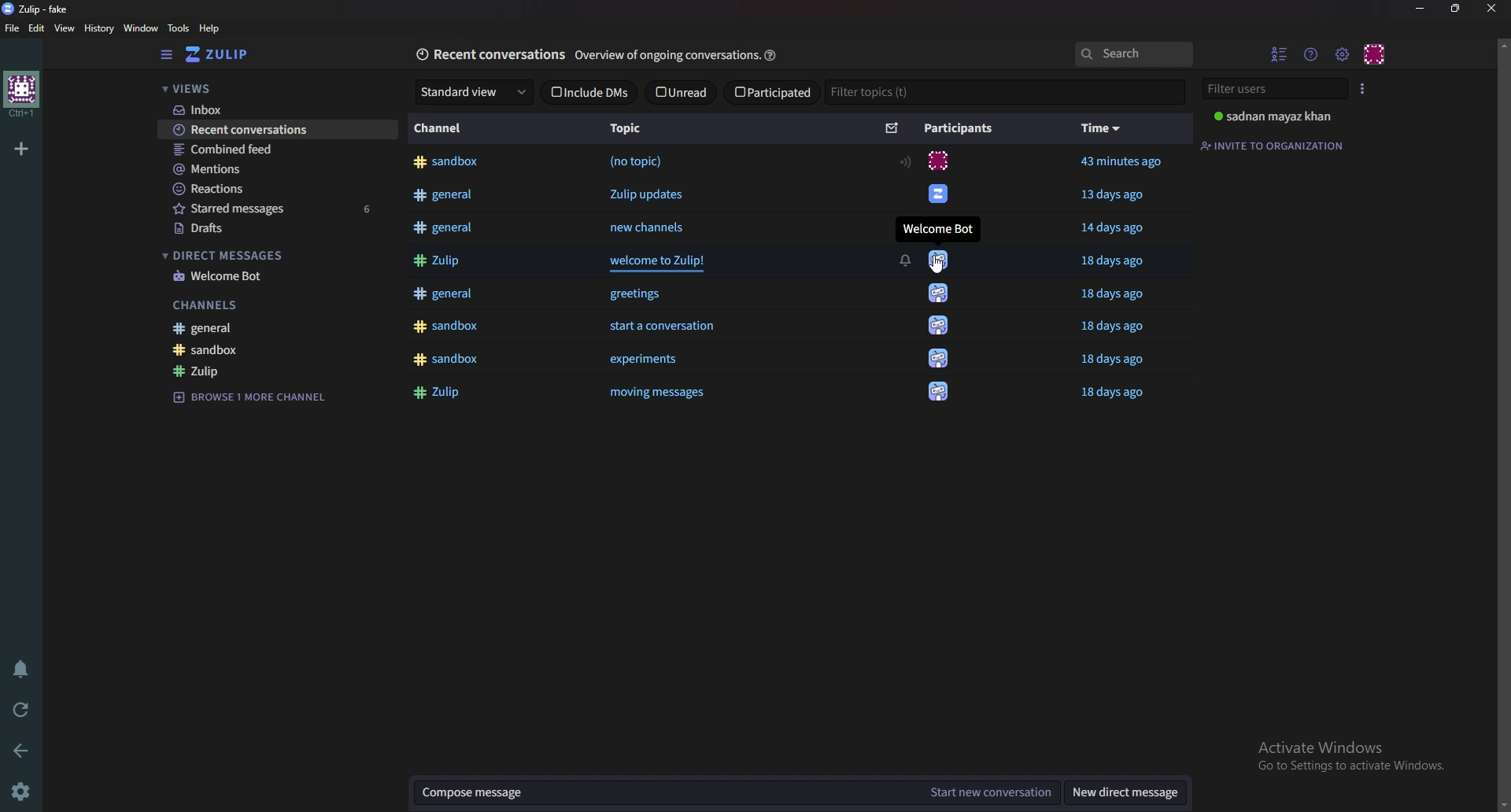  I want to click on Direct messages, so click(274, 253).